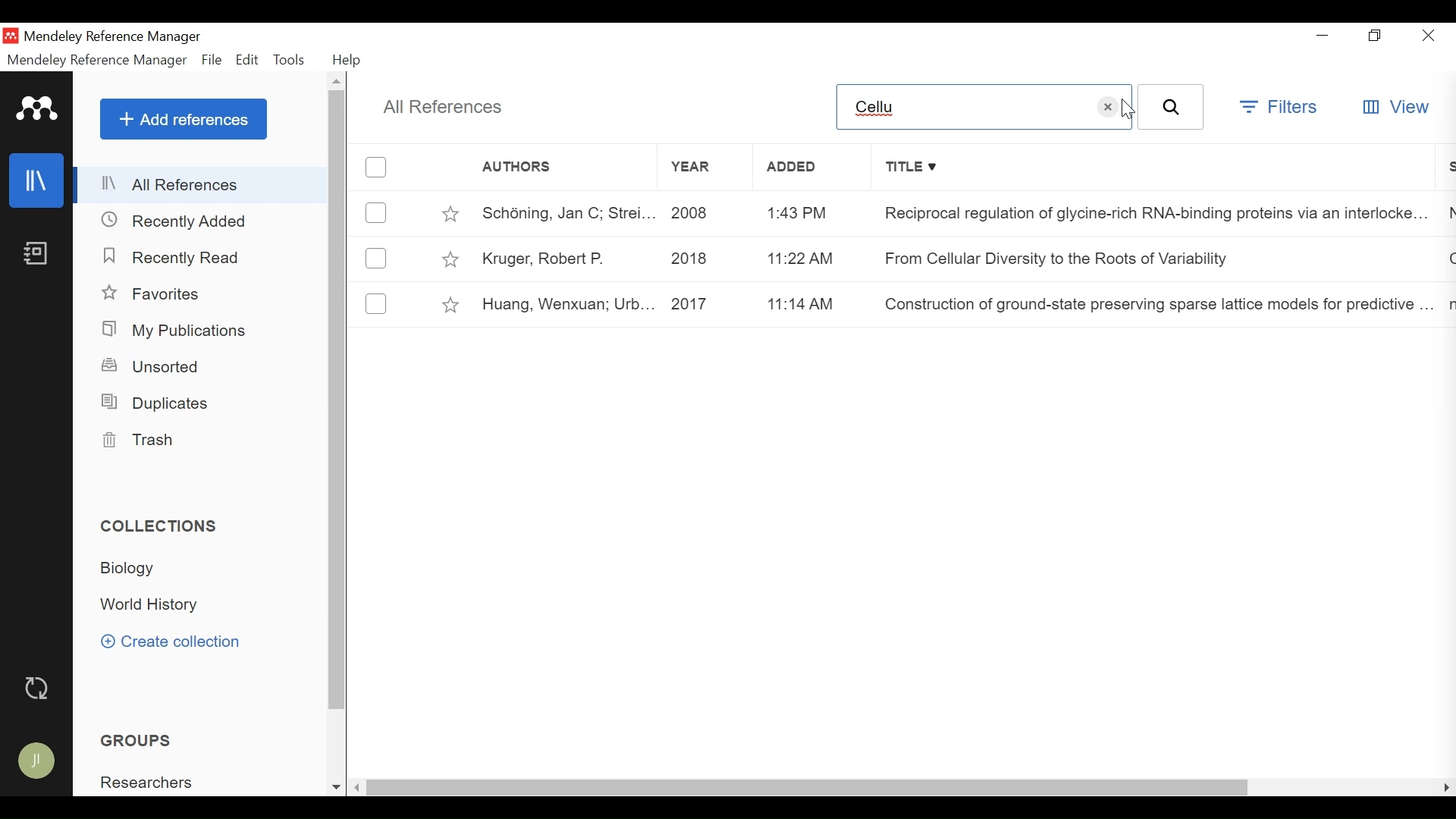 The image size is (1456, 819). I want to click on Trash, so click(147, 442).